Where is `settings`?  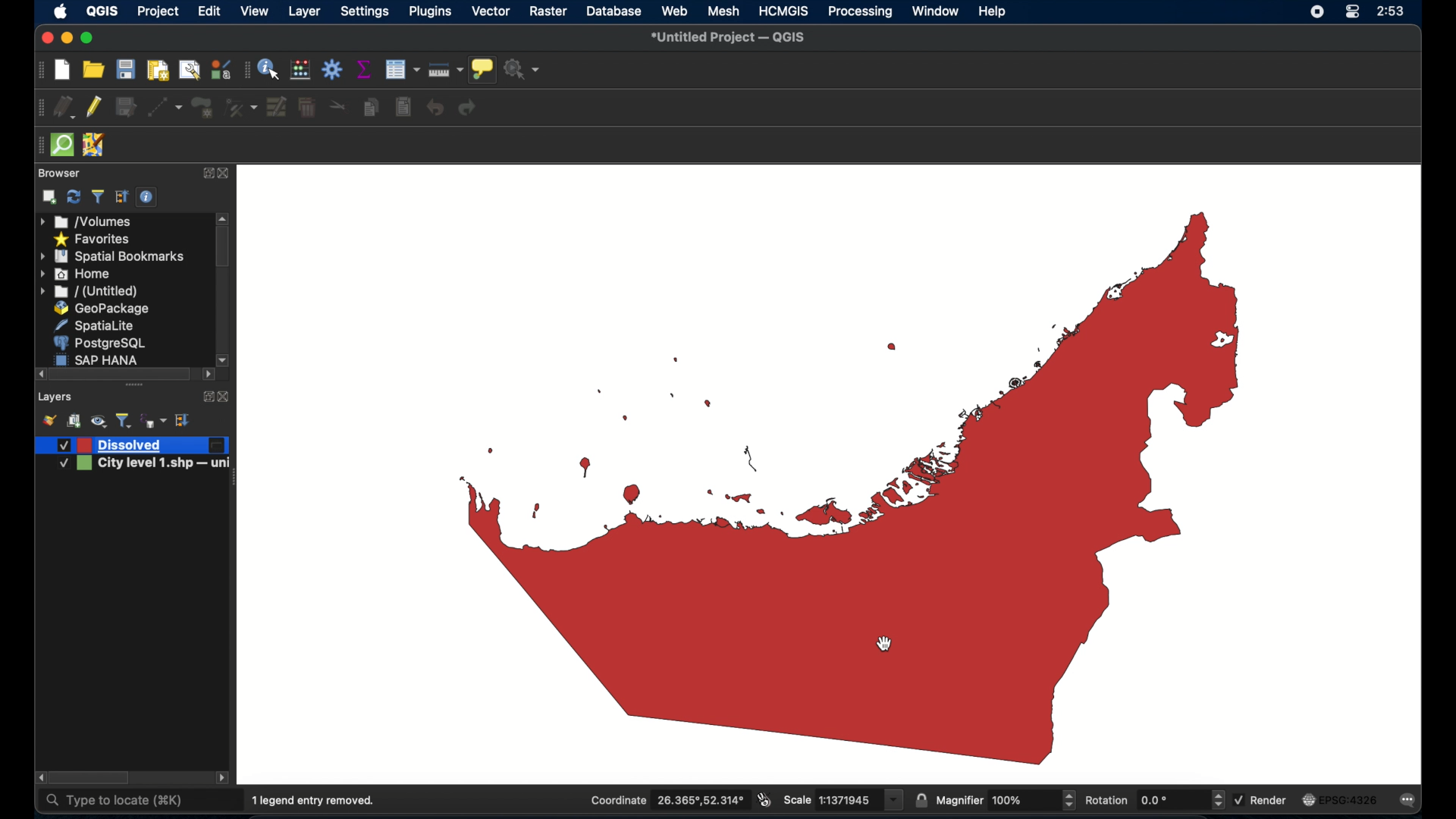
settings is located at coordinates (366, 12).